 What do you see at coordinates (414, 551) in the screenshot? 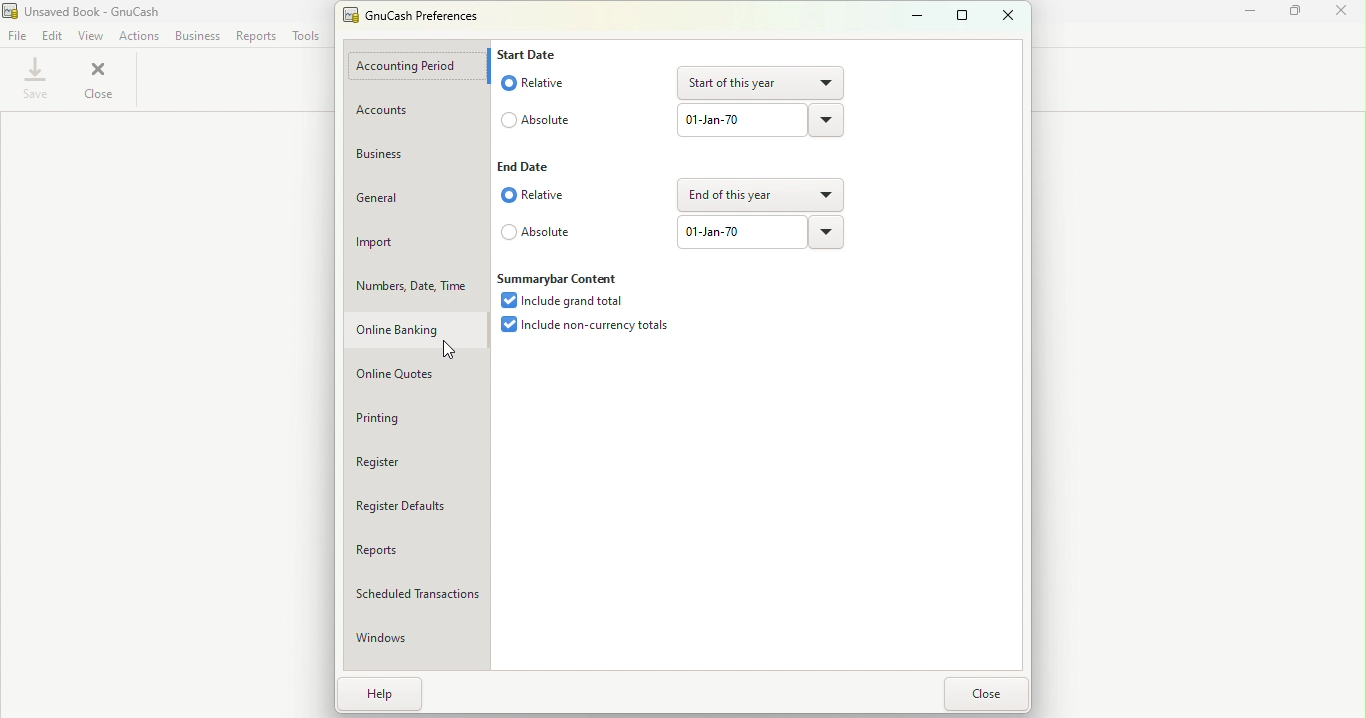
I see `Reports` at bounding box center [414, 551].